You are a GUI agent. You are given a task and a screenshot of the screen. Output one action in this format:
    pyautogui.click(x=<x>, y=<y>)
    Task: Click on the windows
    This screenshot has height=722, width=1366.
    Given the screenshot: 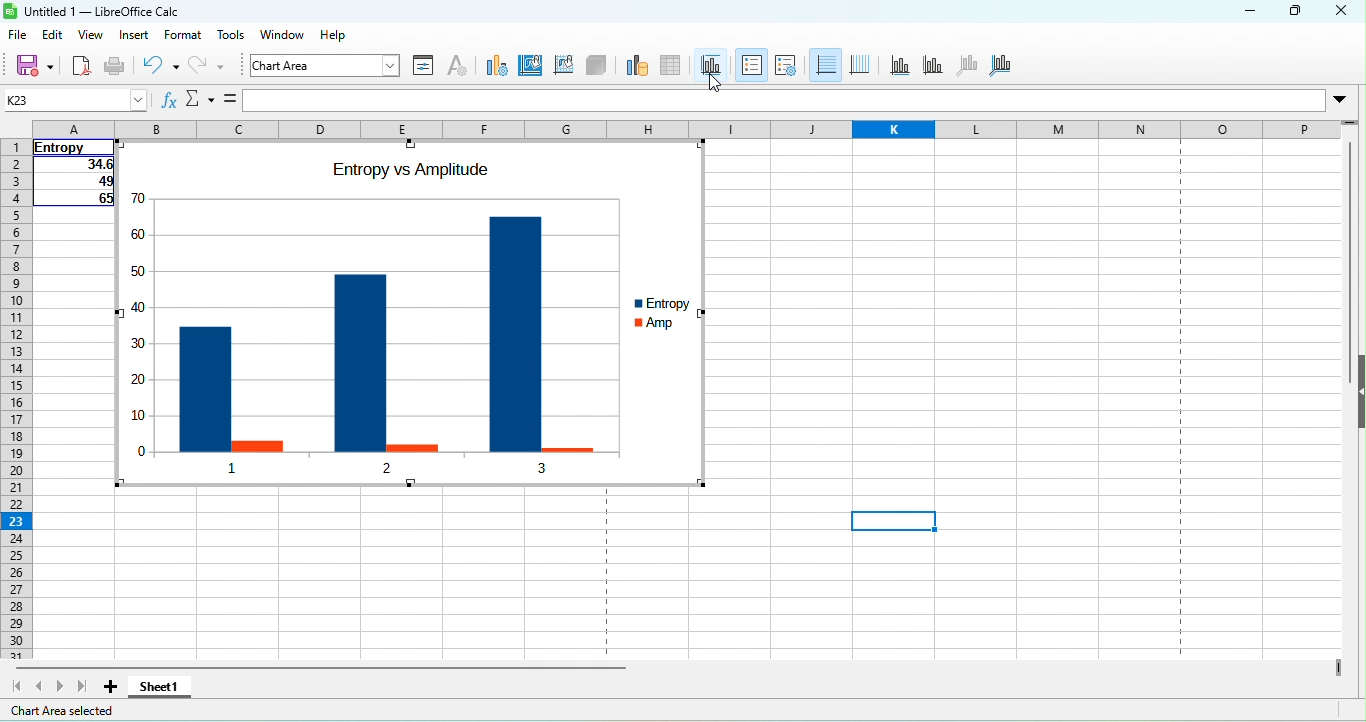 What is the action you would take?
    pyautogui.click(x=280, y=38)
    